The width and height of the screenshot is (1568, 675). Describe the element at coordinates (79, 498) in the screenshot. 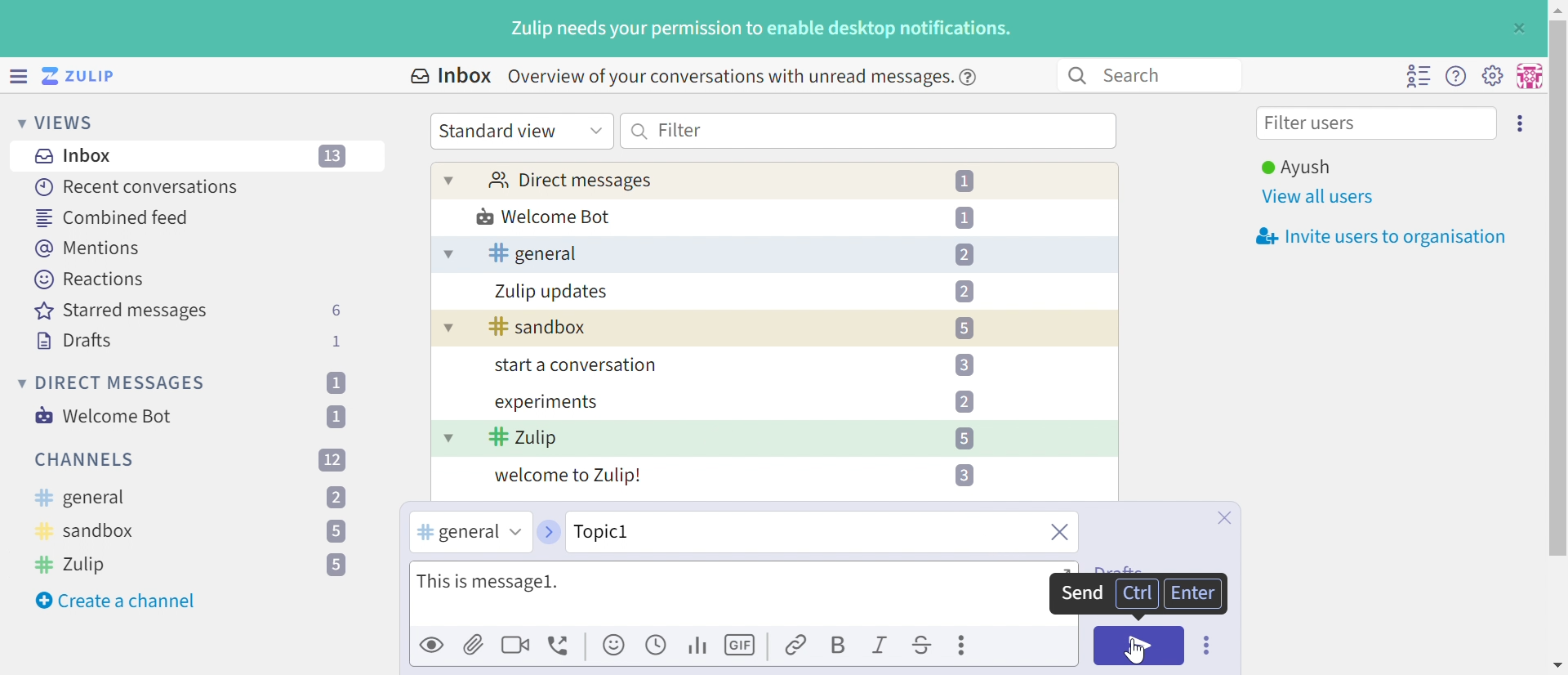

I see `general` at that location.